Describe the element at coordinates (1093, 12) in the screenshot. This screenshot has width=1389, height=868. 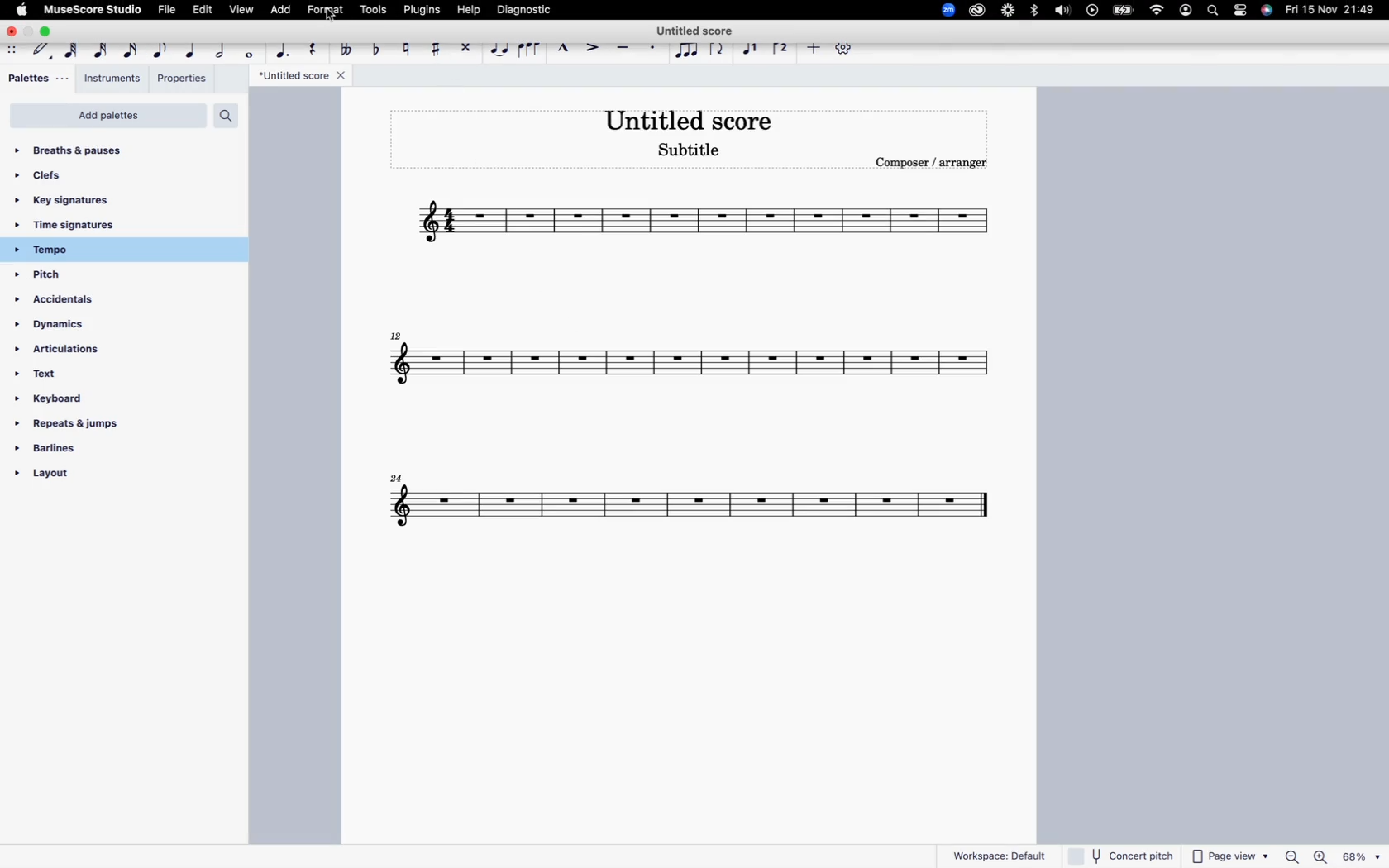
I see `play` at that location.